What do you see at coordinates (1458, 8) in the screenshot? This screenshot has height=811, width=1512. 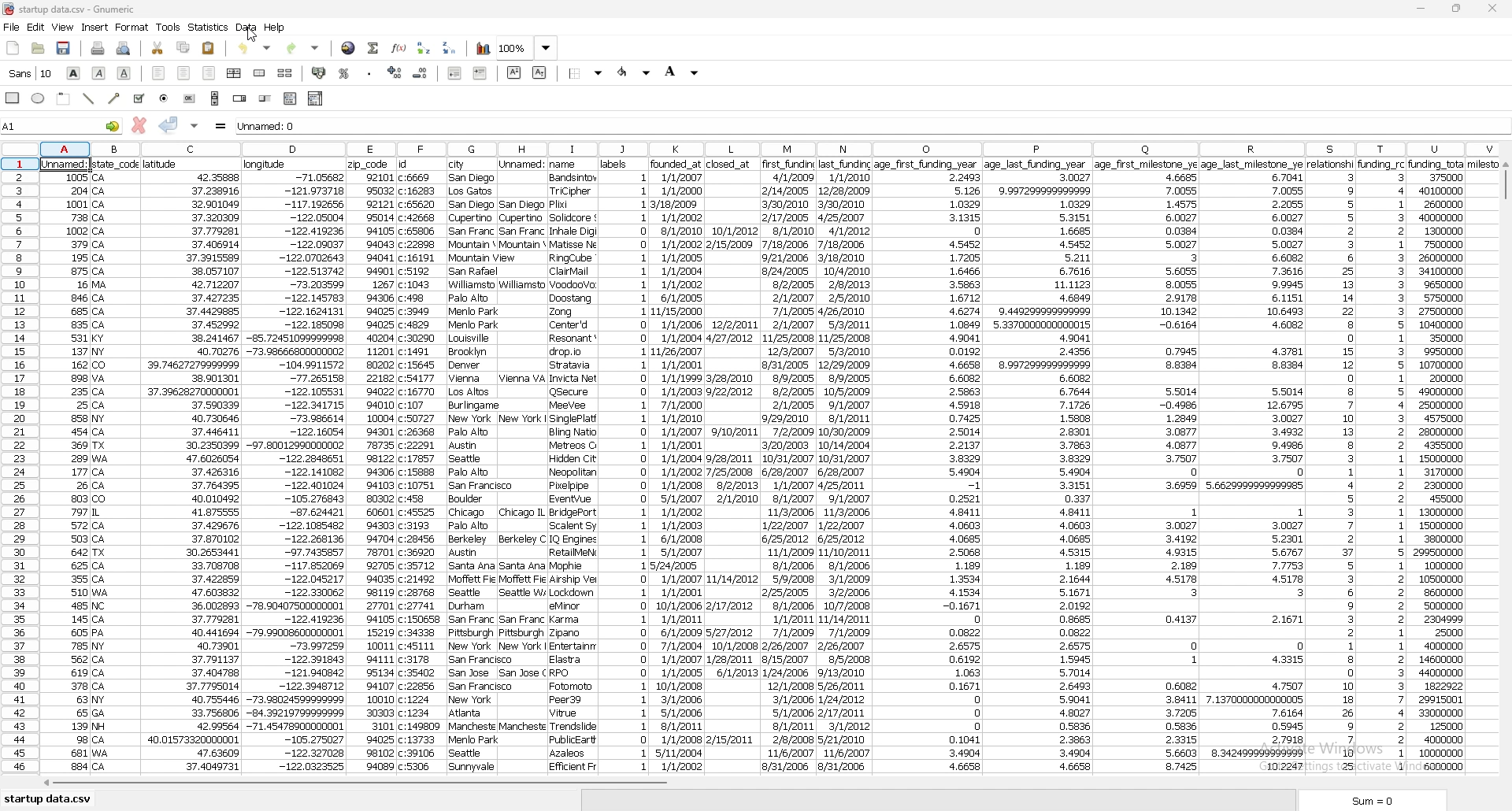 I see `resize` at bounding box center [1458, 8].